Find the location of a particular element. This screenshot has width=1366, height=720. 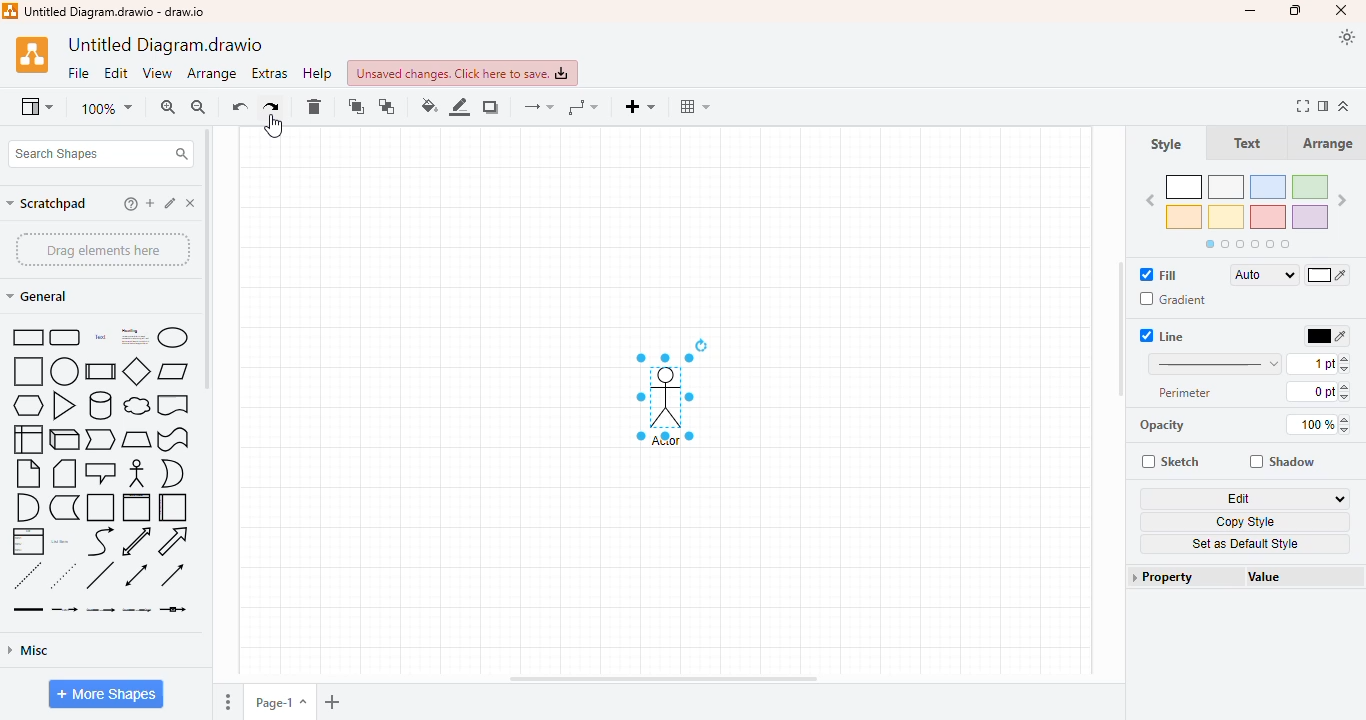

trapezoid is located at coordinates (137, 440).